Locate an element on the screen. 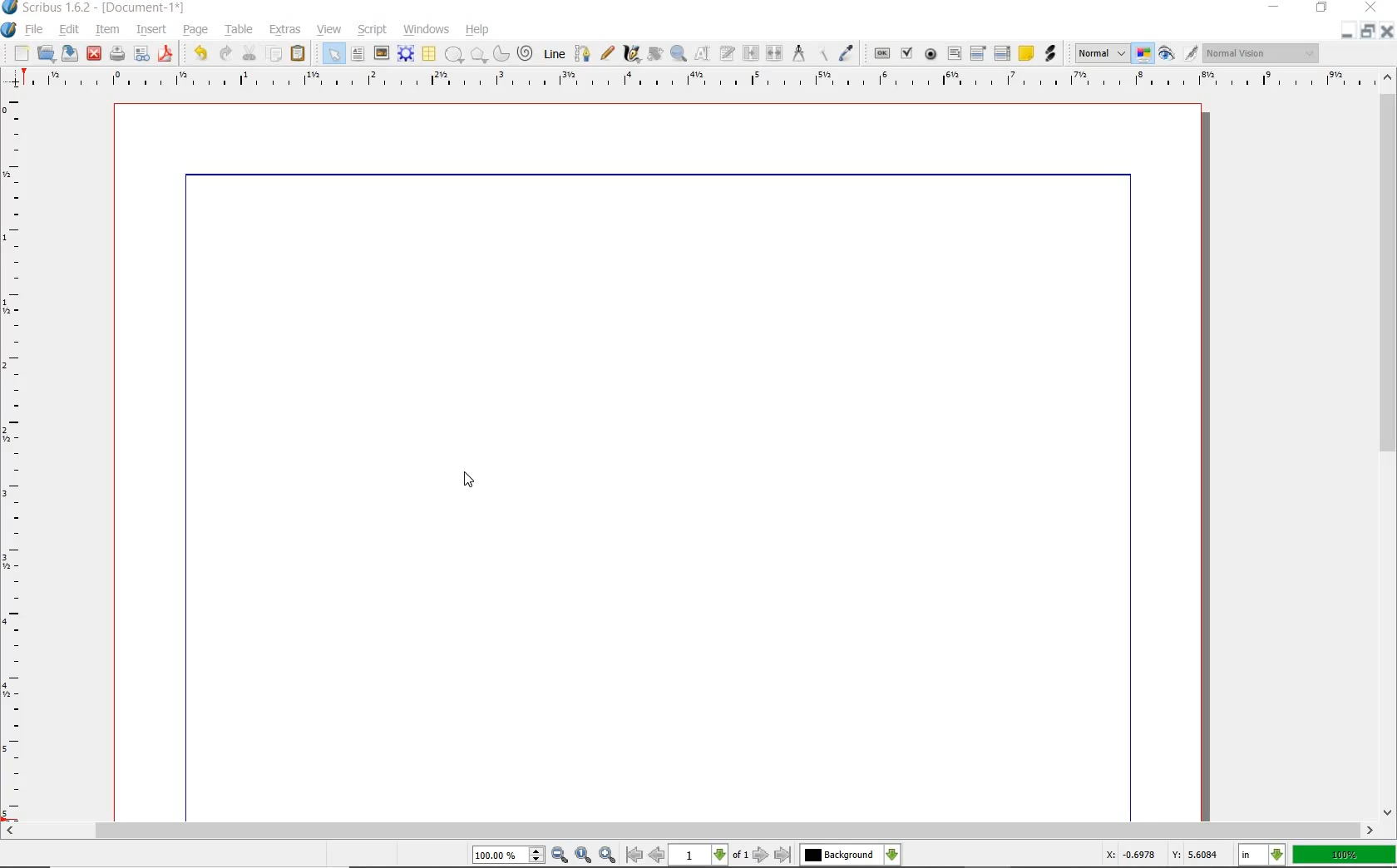 The height and width of the screenshot is (868, 1397). IMAGE is located at coordinates (381, 52).